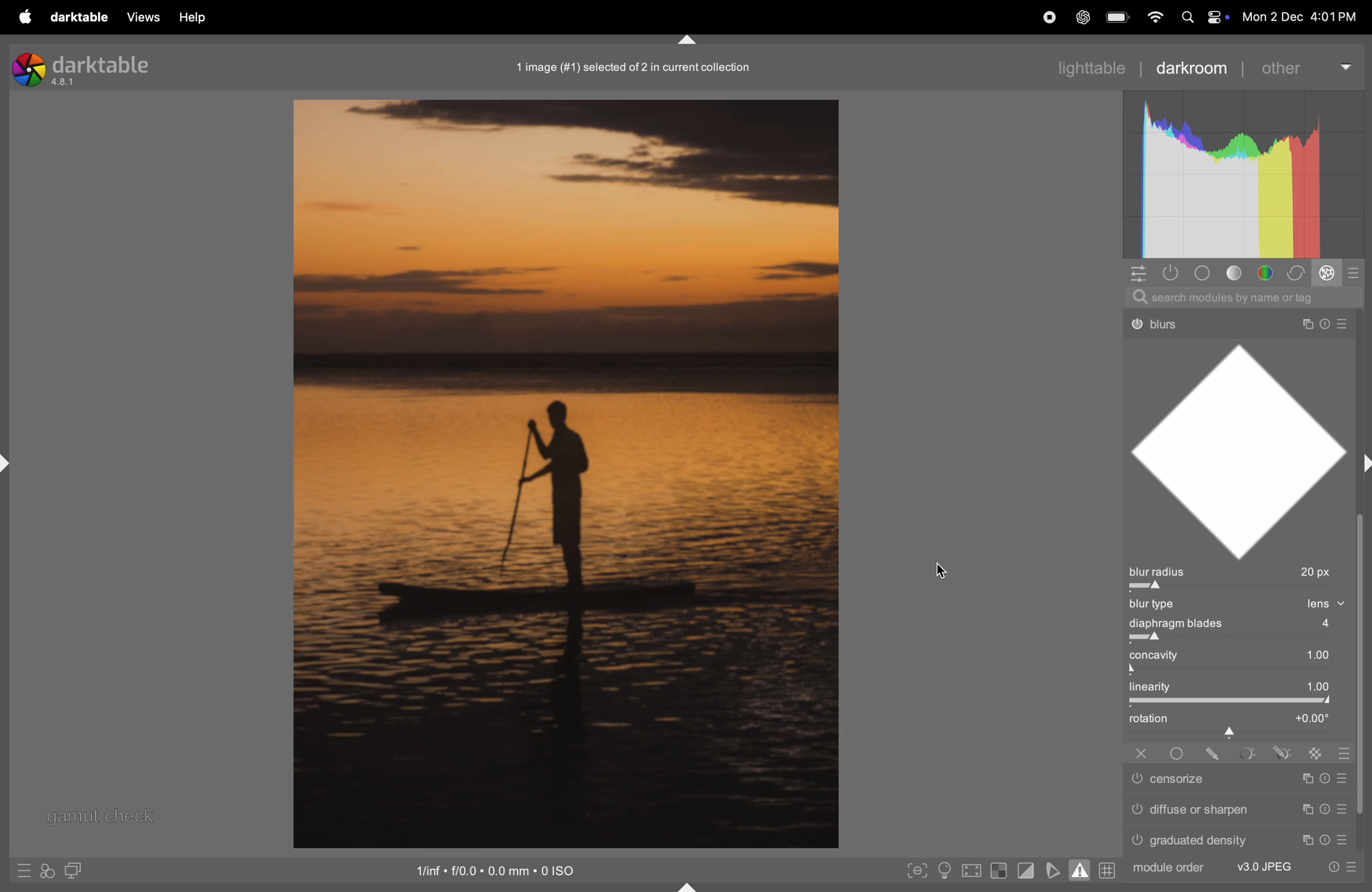 The image size is (1372, 892). Describe the element at coordinates (917, 871) in the screenshot. I see `toggle peak focusing mode` at that location.